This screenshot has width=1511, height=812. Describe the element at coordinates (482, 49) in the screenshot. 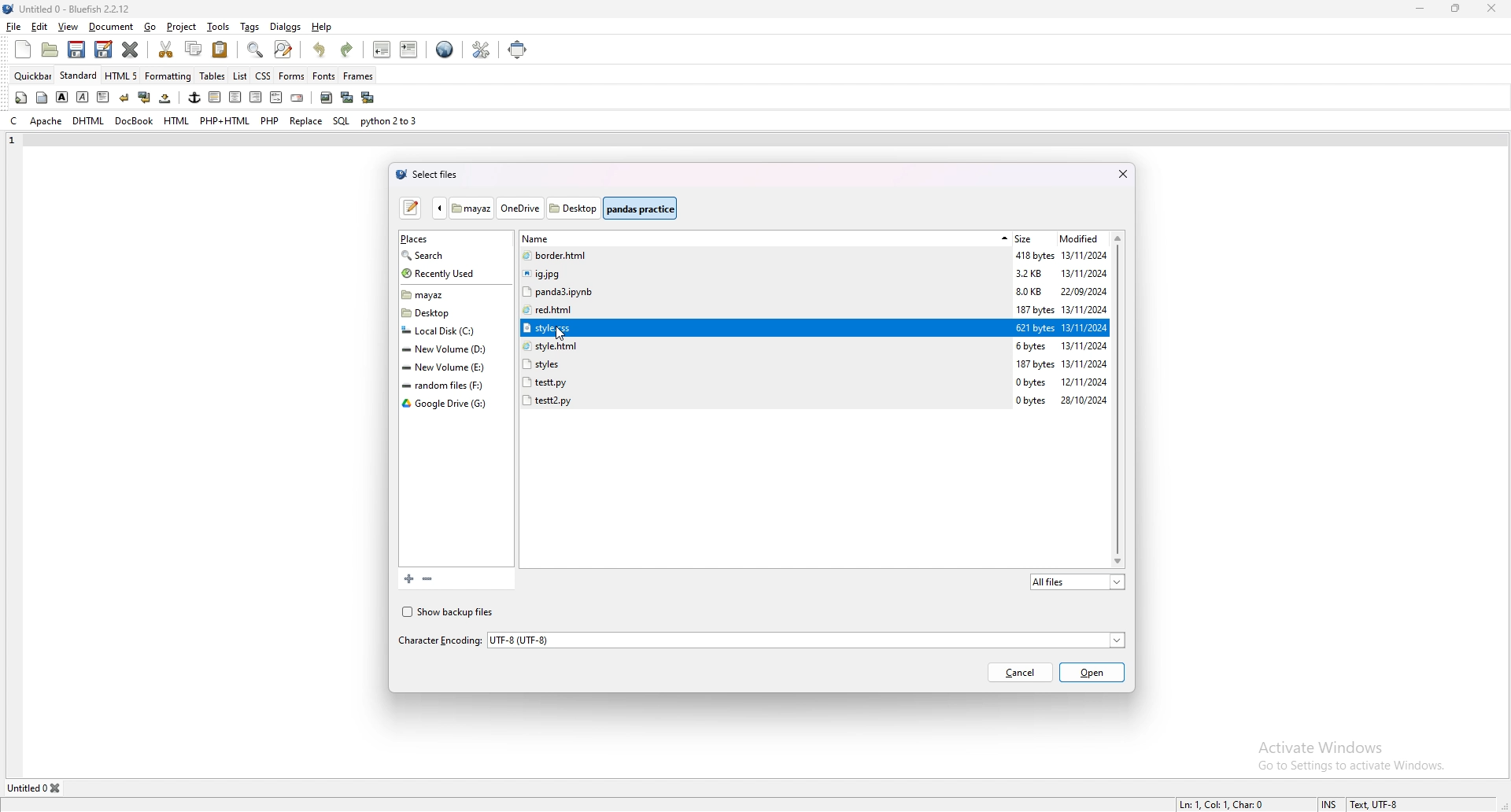

I see `edit preference` at that location.